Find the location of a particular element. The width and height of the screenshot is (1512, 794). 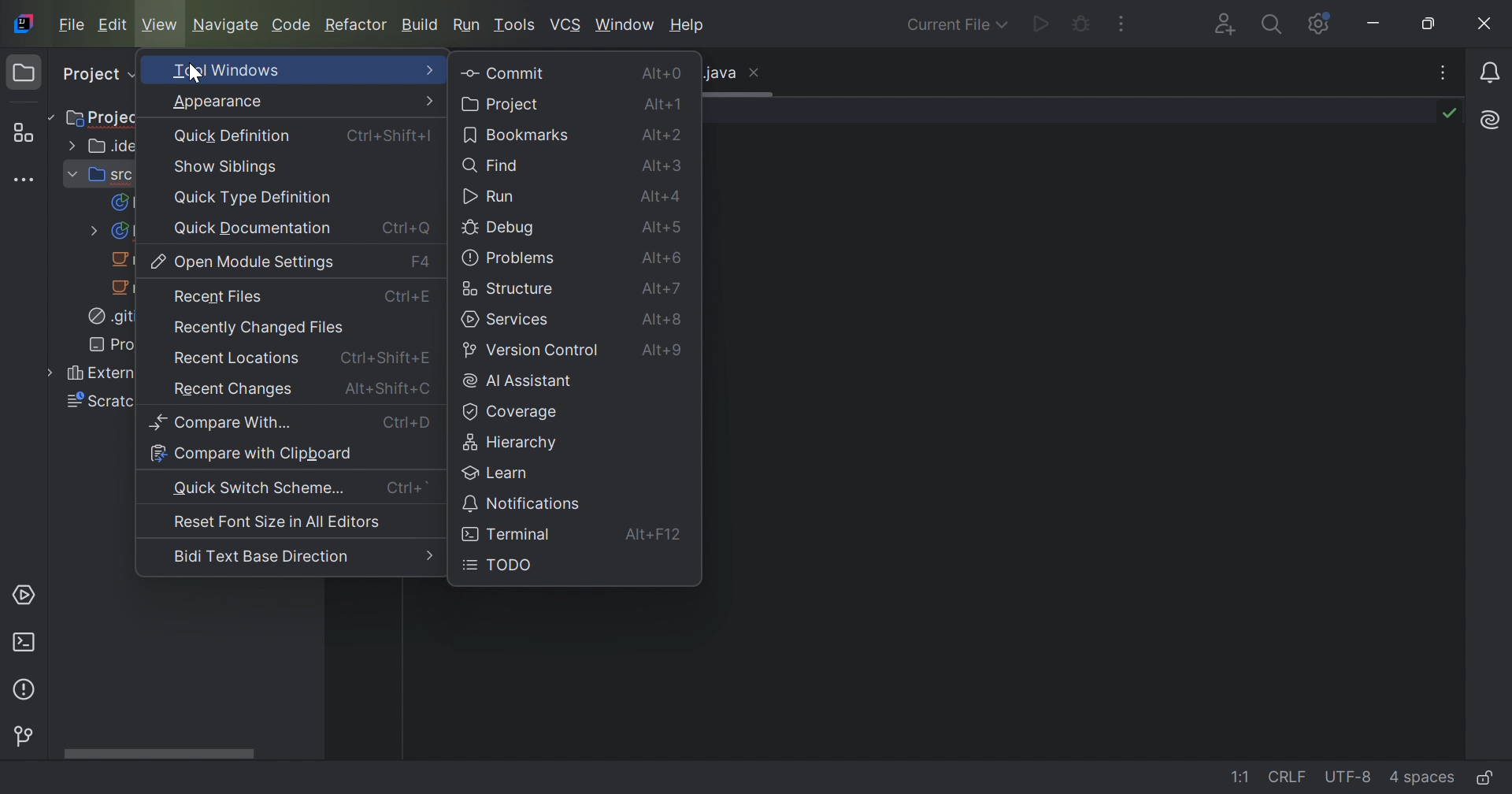

Ctrl+Shift+I is located at coordinates (388, 136).